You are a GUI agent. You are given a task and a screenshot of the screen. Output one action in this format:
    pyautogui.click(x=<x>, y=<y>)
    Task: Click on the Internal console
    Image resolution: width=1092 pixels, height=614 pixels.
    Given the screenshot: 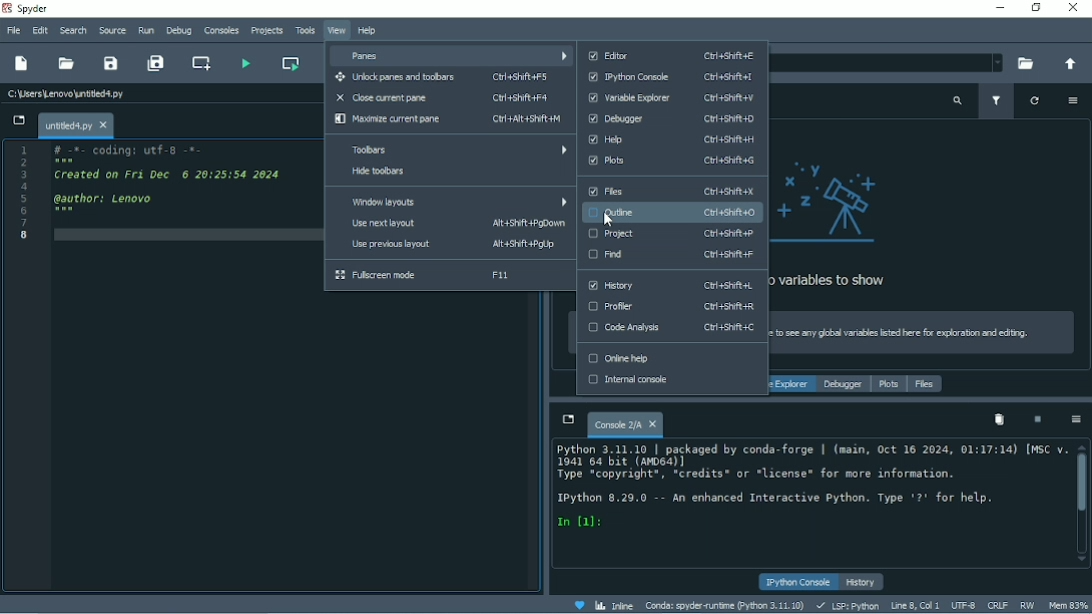 What is the action you would take?
    pyautogui.click(x=671, y=382)
    